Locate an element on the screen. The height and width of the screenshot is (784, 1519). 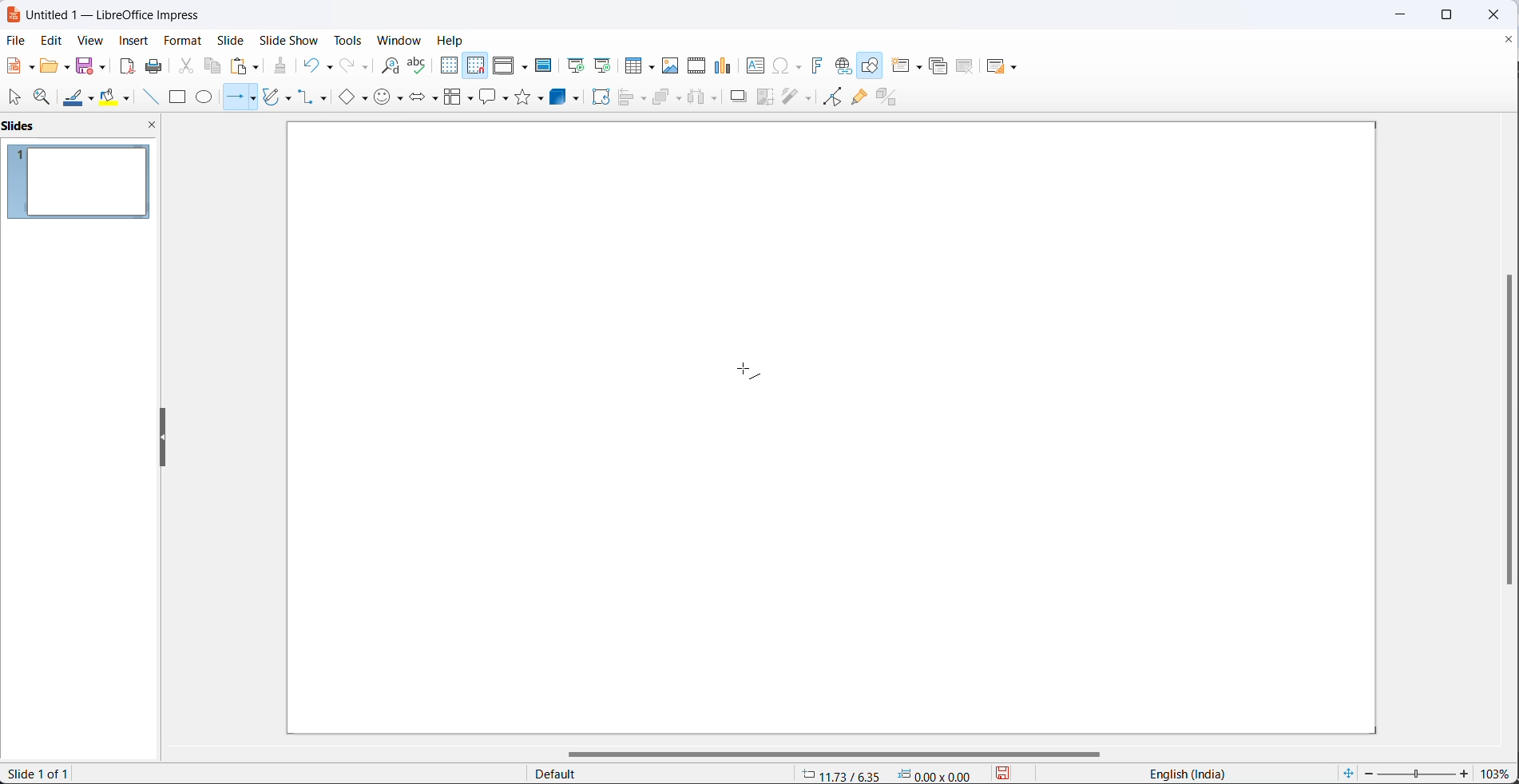
line is located at coordinates (147, 97).